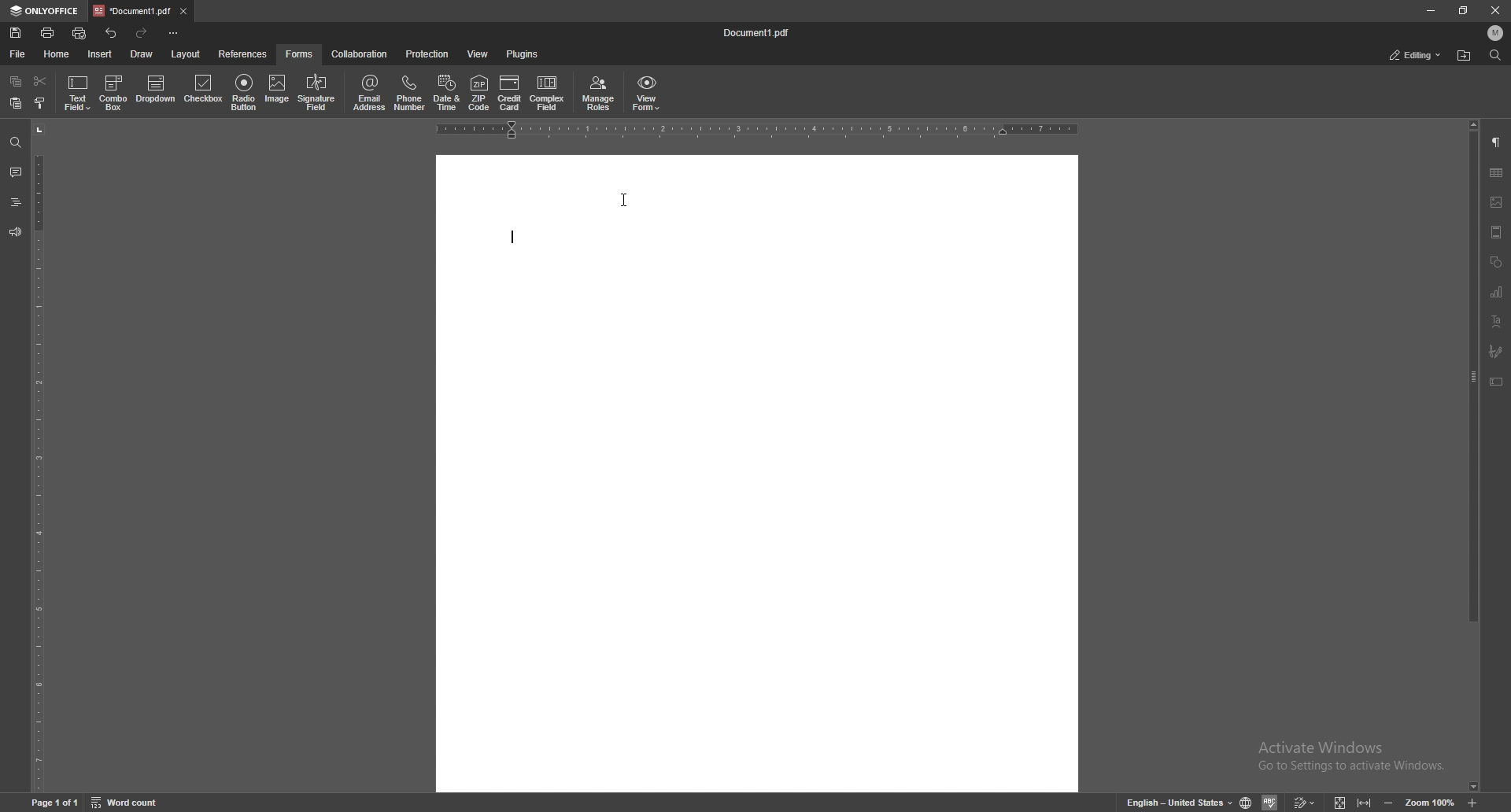 This screenshot has width=1511, height=812. Describe the element at coordinates (1176, 802) in the screenshot. I see `change text language` at that location.